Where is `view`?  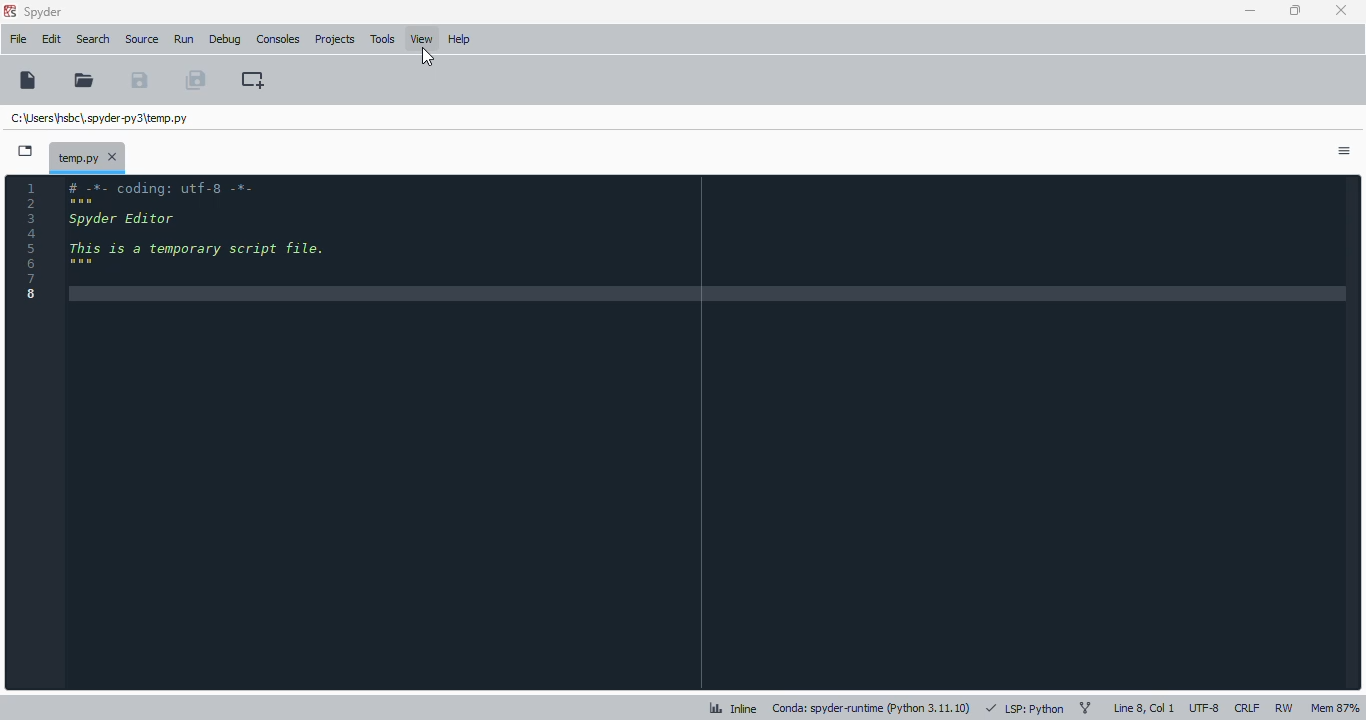 view is located at coordinates (420, 39).